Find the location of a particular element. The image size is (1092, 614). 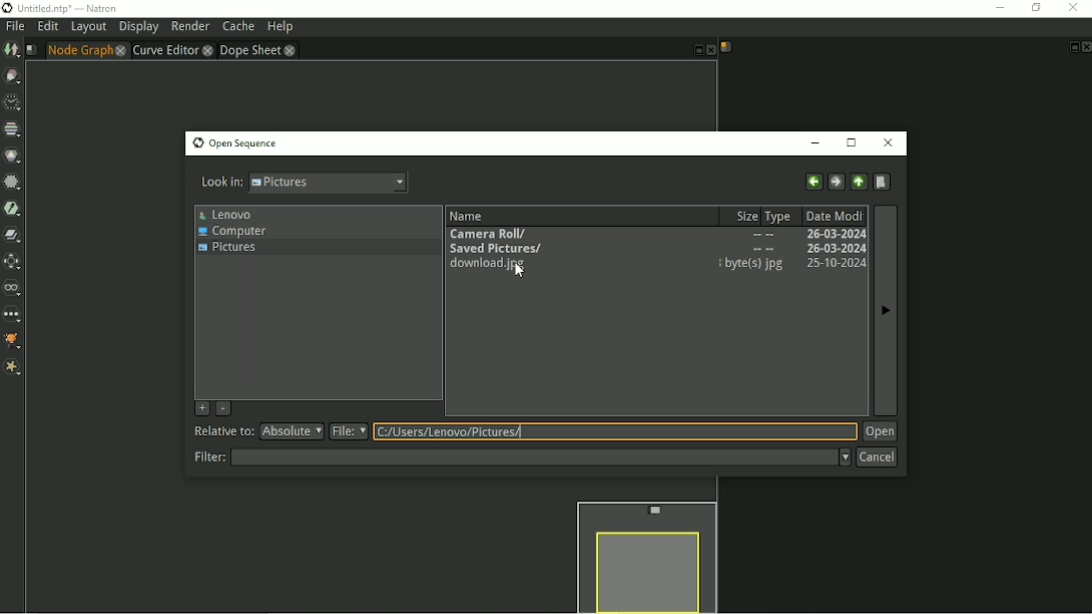

Filter is located at coordinates (12, 182).